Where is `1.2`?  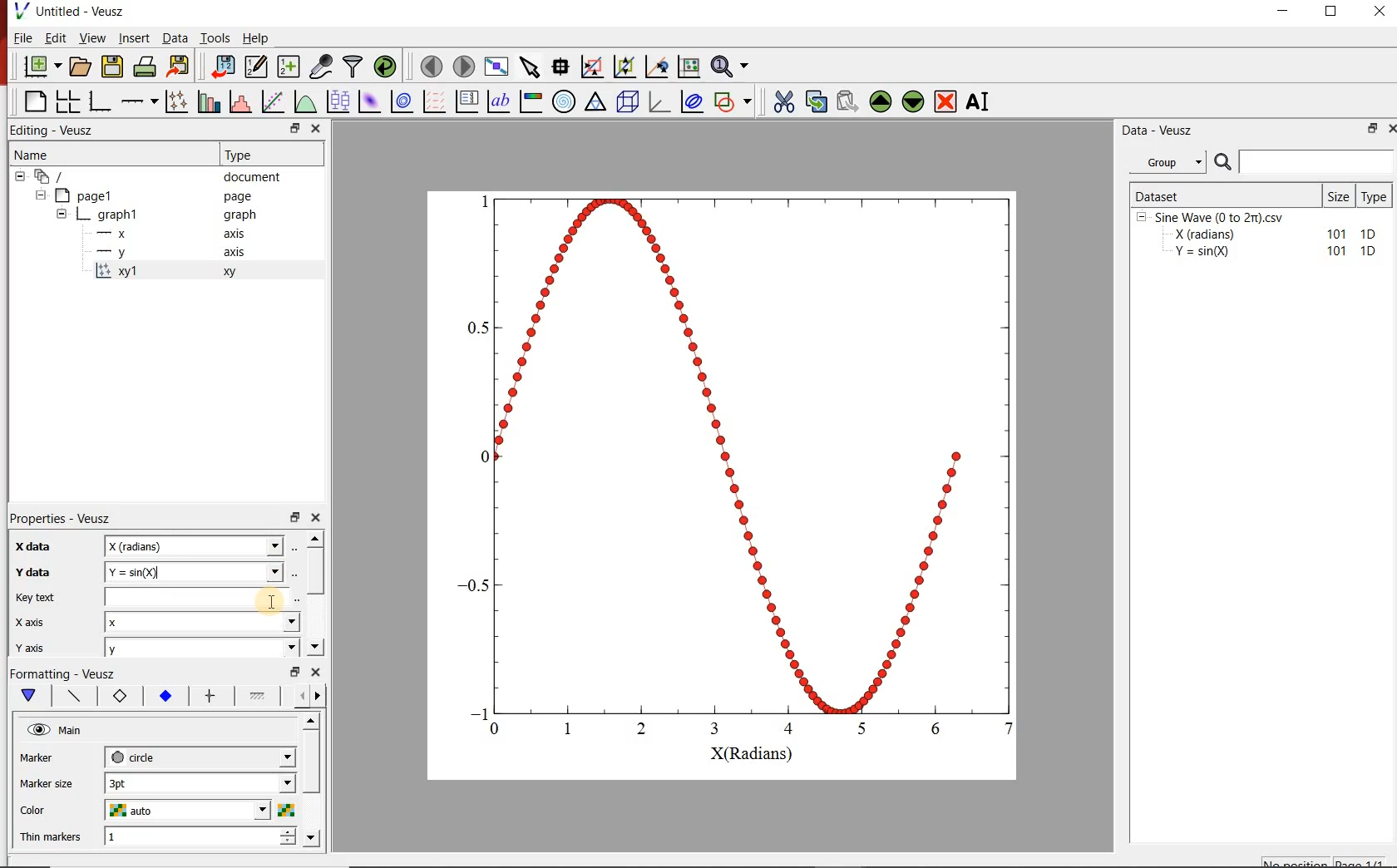 1.2 is located at coordinates (163, 697).